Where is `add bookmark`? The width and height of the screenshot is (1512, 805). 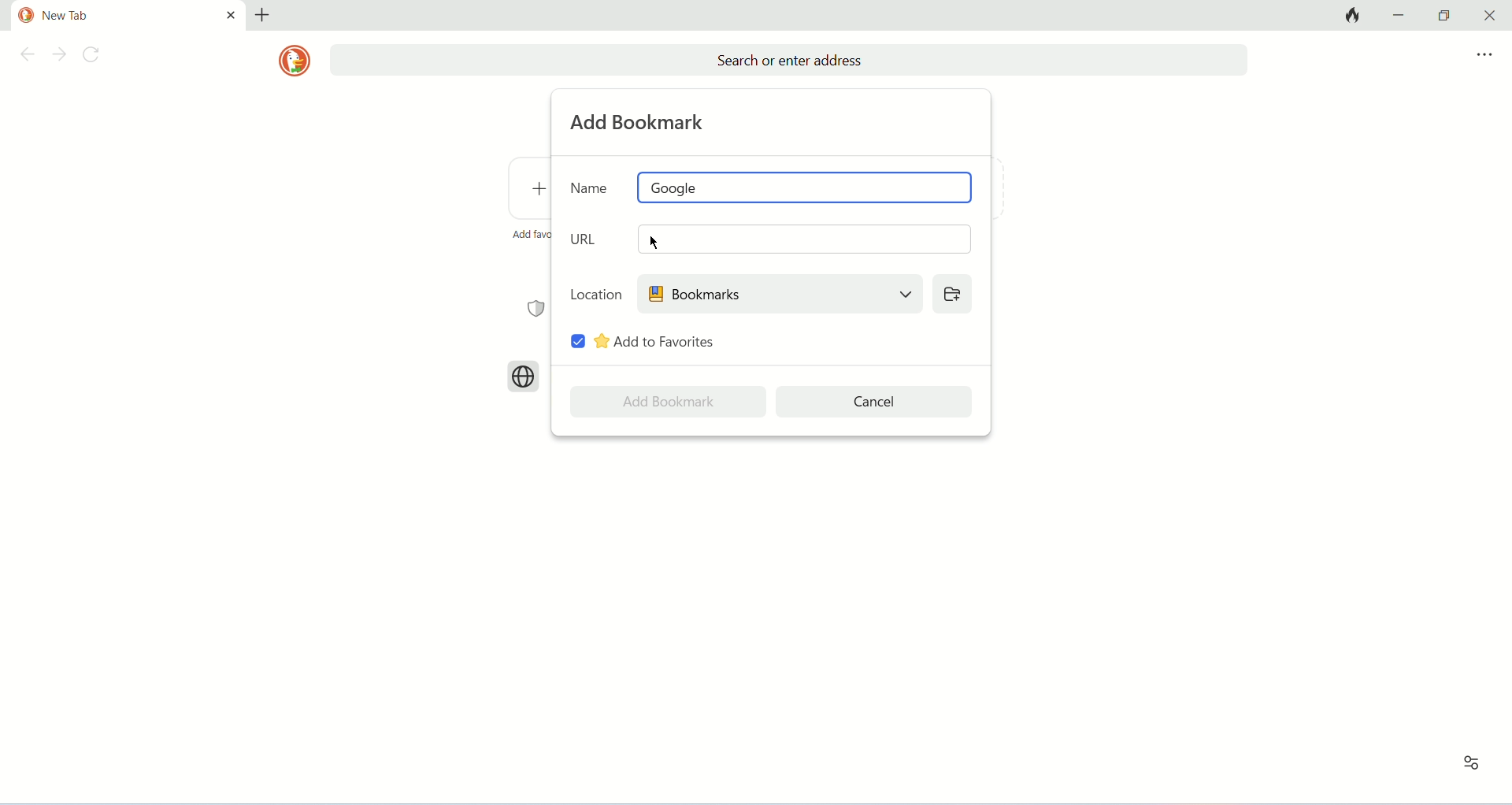 add bookmark is located at coordinates (640, 122).